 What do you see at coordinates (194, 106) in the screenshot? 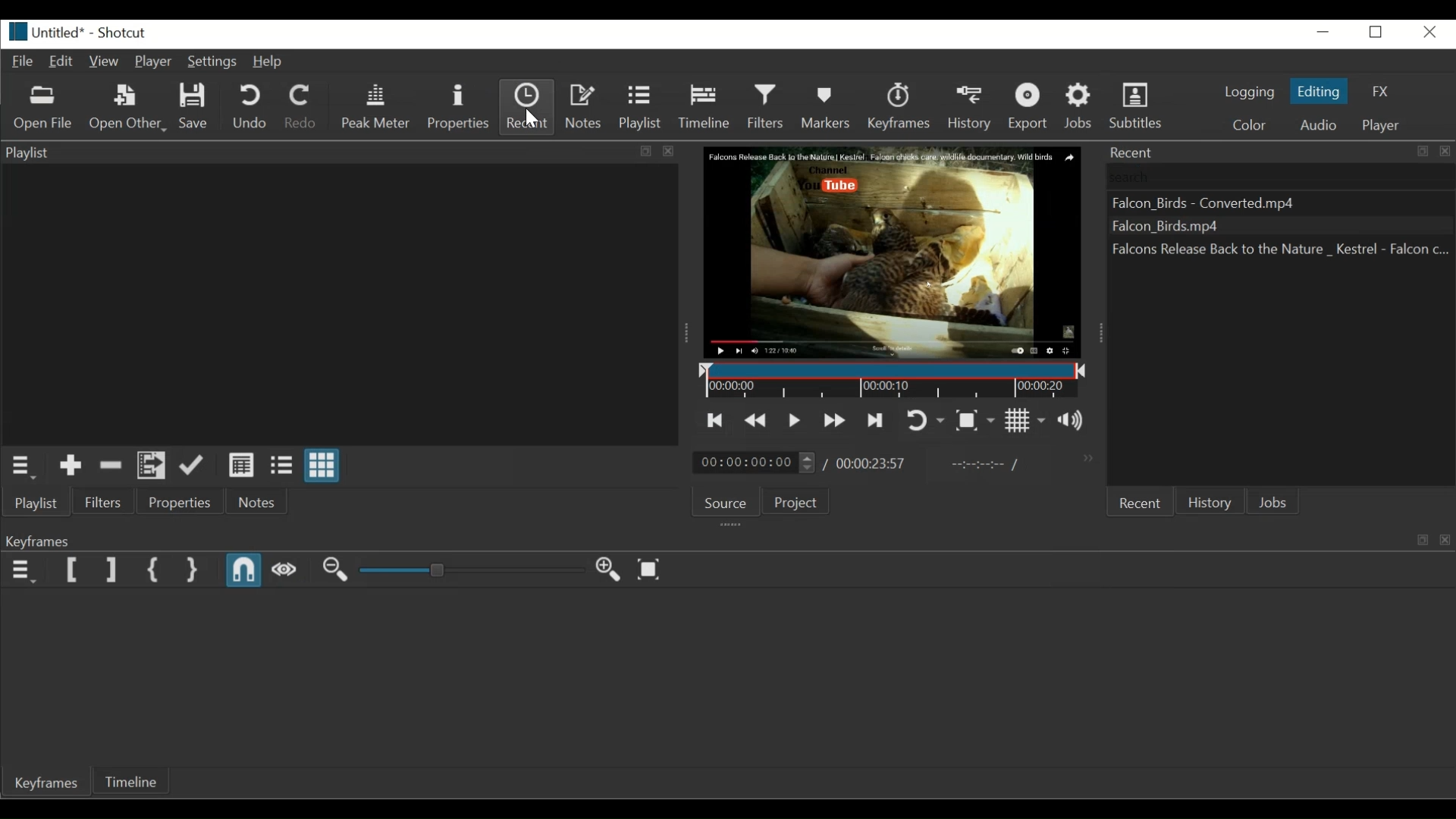
I see `Save` at bounding box center [194, 106].